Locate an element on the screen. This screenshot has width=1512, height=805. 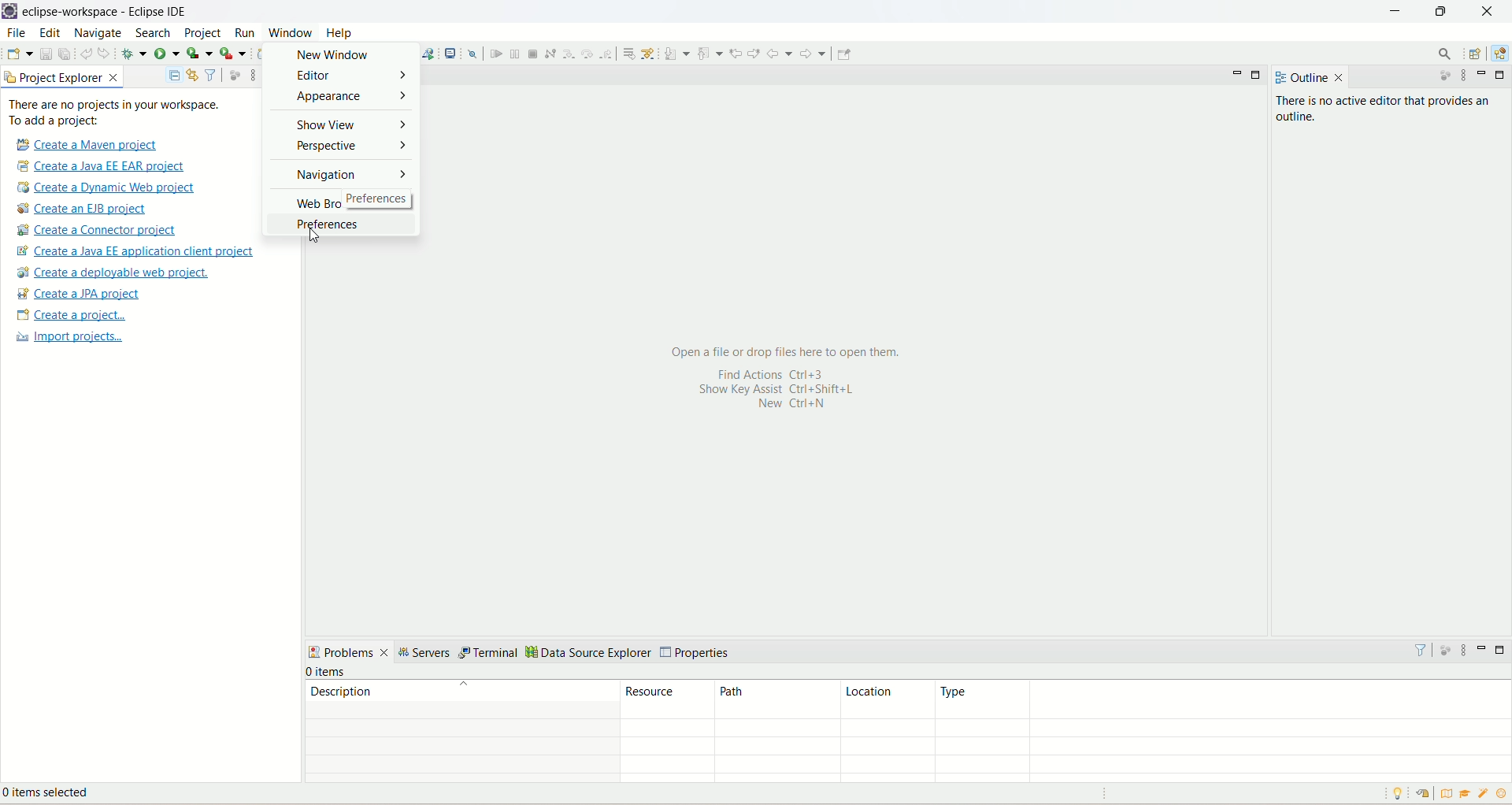
maximize is located at coordinates (1501, 75).